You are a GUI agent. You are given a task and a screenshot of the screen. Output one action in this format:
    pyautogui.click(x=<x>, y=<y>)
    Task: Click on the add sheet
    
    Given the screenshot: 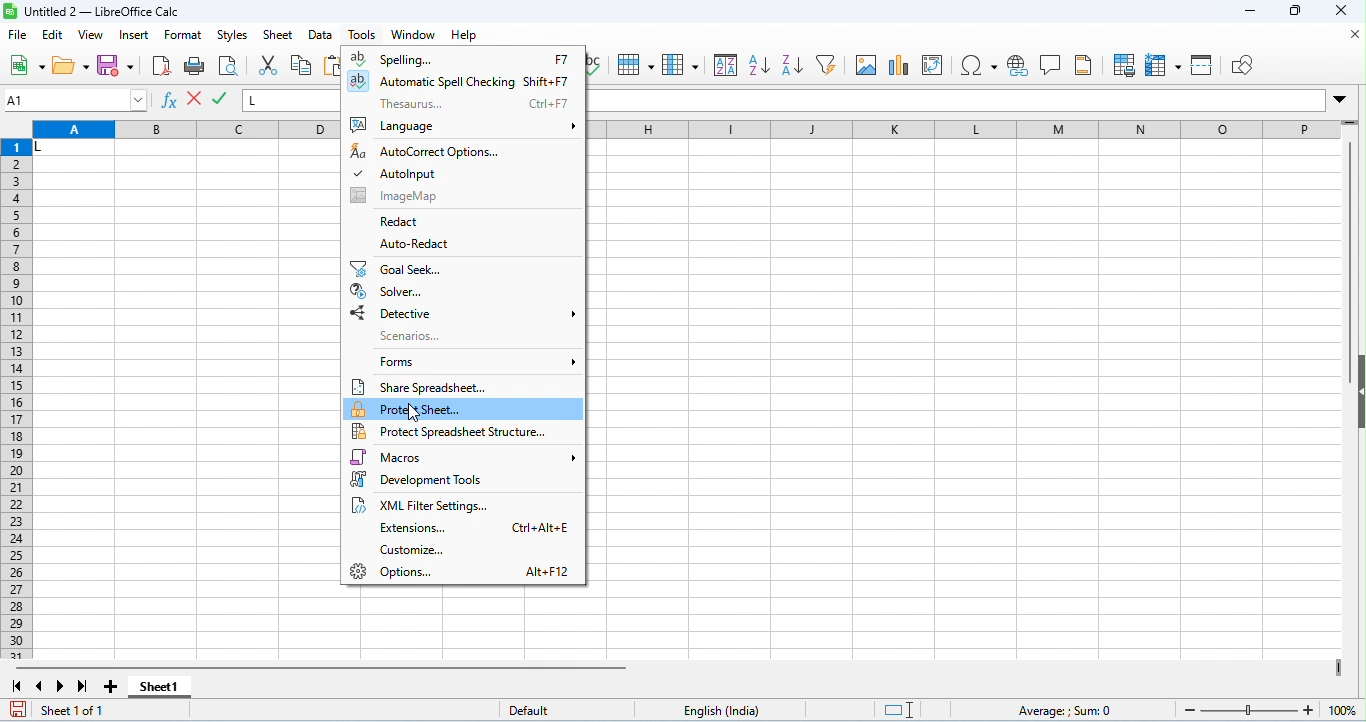 What is the action you would take?
    pyautogui.click(x=114, y=687)
    